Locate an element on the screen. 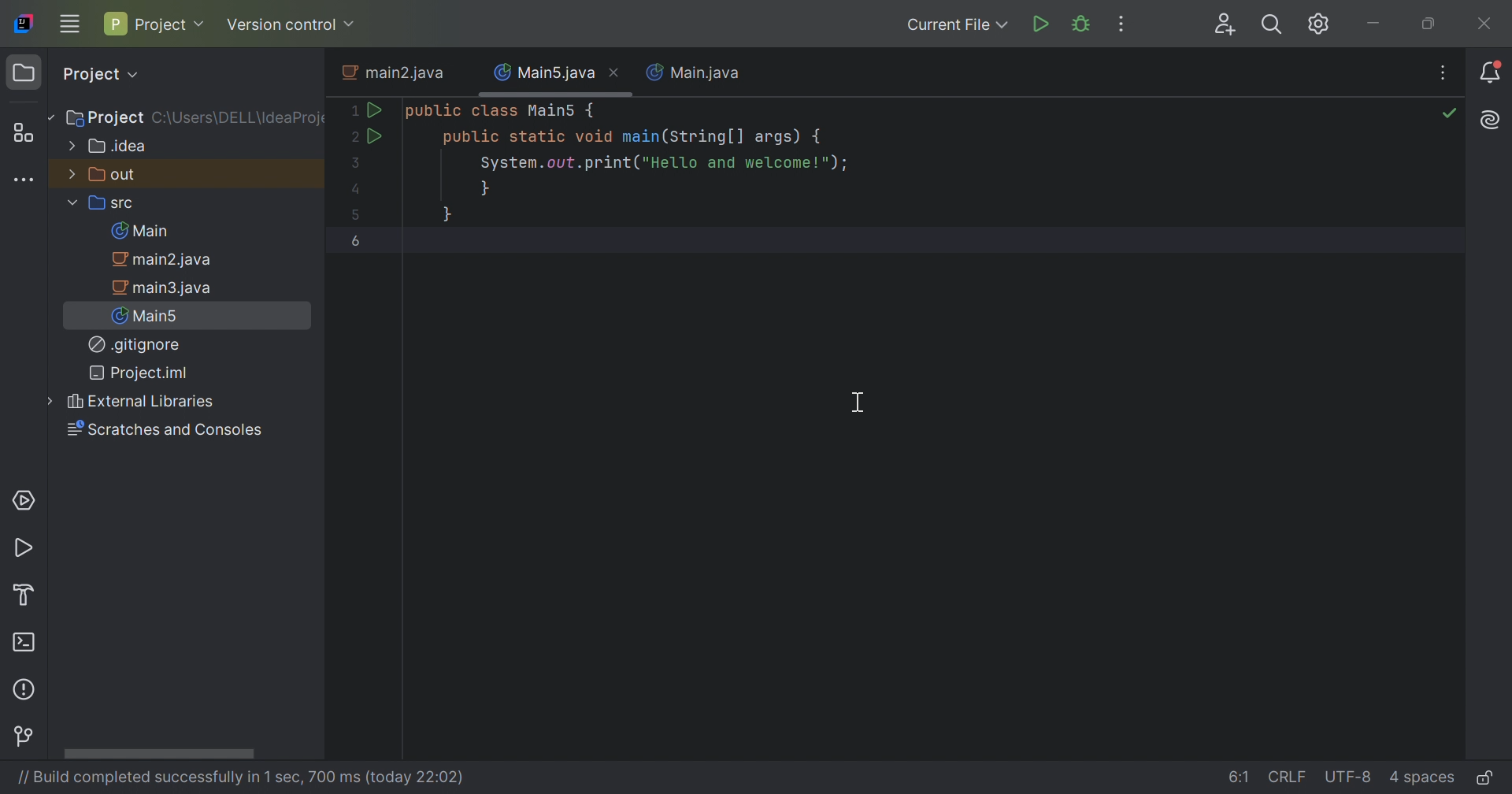  file encoding: UTF-8 is located at coordinates (1350, 777).